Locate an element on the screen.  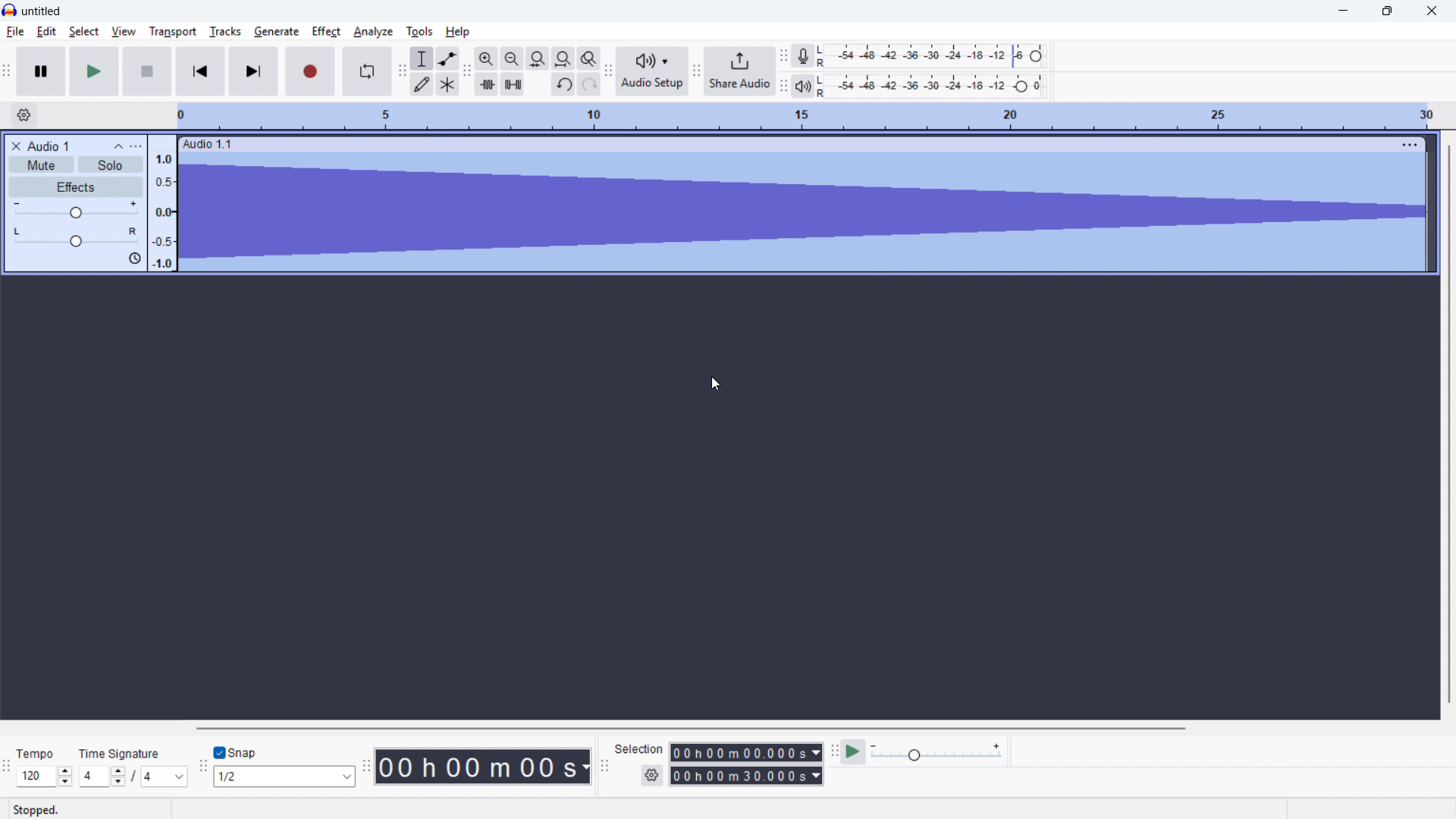
Selection tool is located at coordinates (422, 58).